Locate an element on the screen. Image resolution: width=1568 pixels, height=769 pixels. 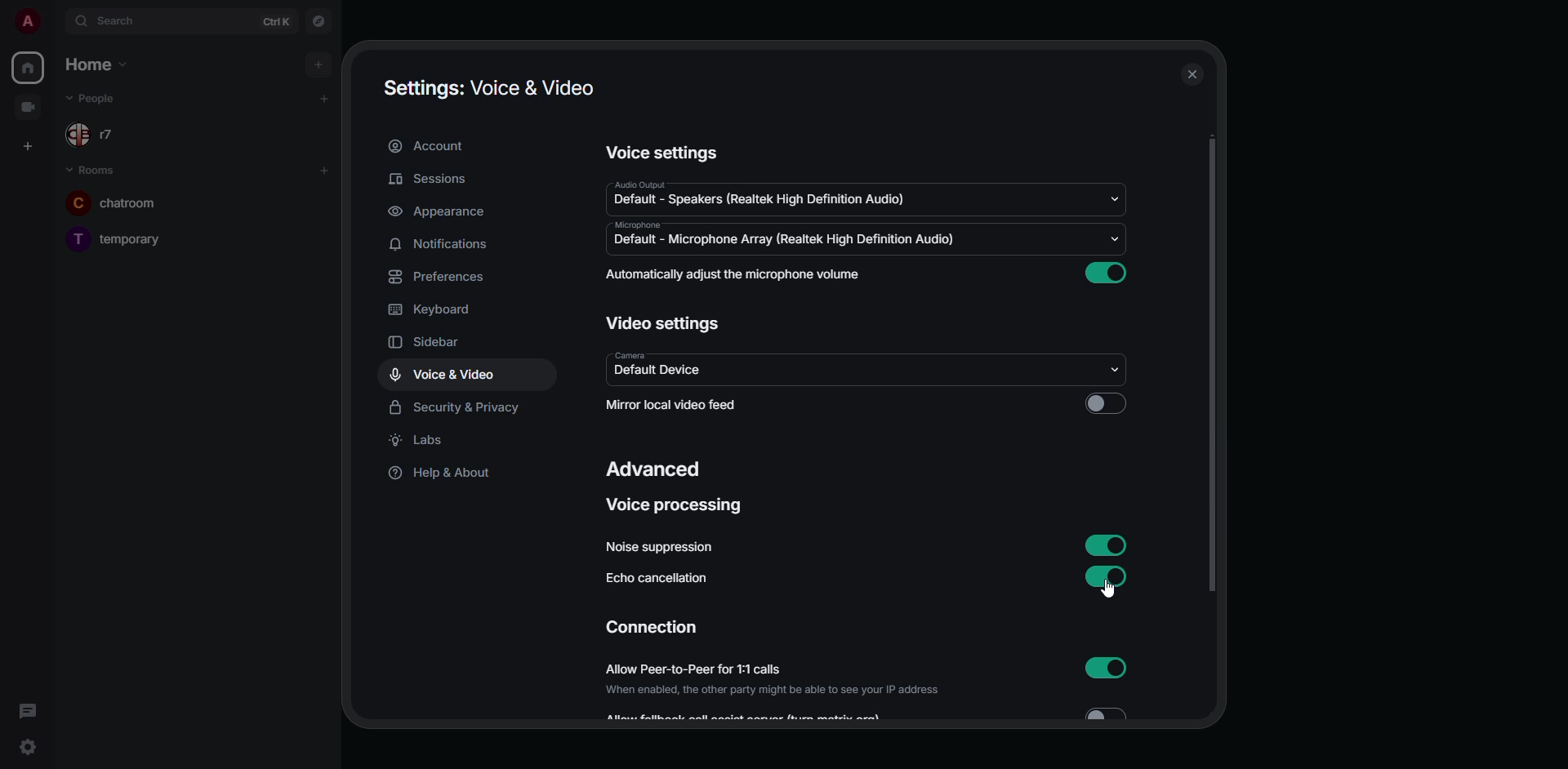
drop down is located at coordinates (1118, 371).